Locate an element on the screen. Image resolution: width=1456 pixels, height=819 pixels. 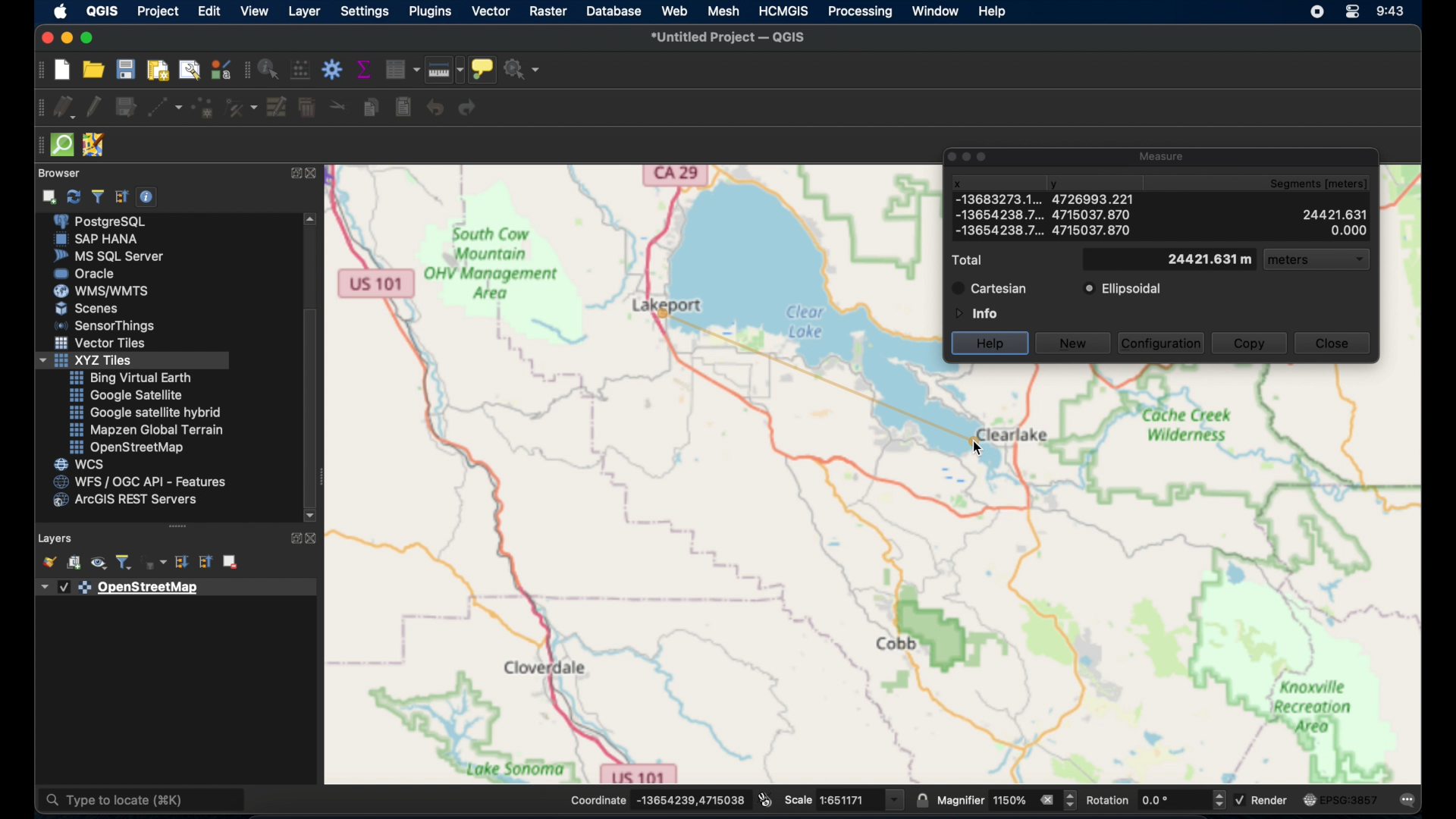
refresh is located at coordinates (72, 197).